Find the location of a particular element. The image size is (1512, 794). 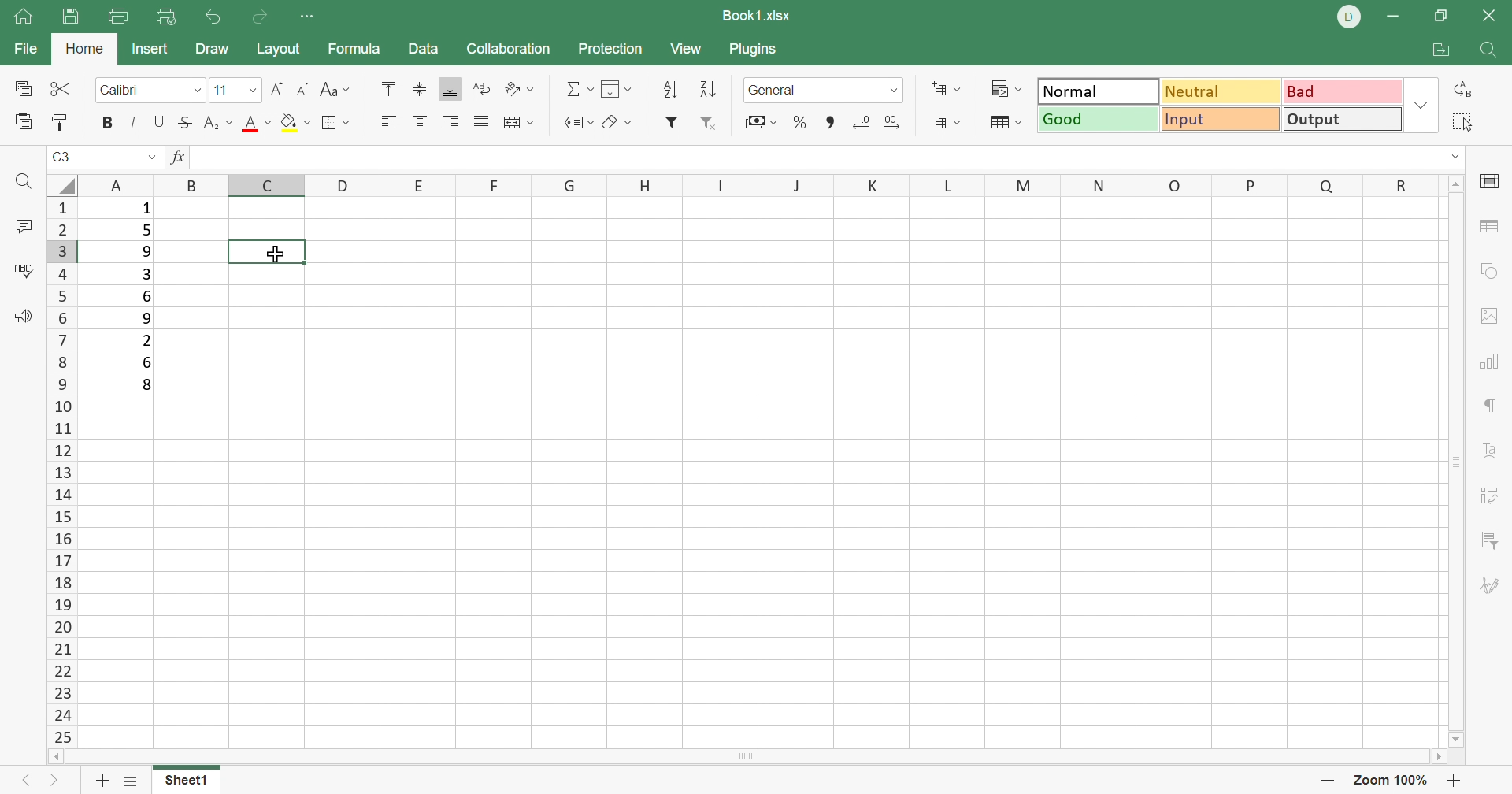

1 is located at coordinates (147, 209).